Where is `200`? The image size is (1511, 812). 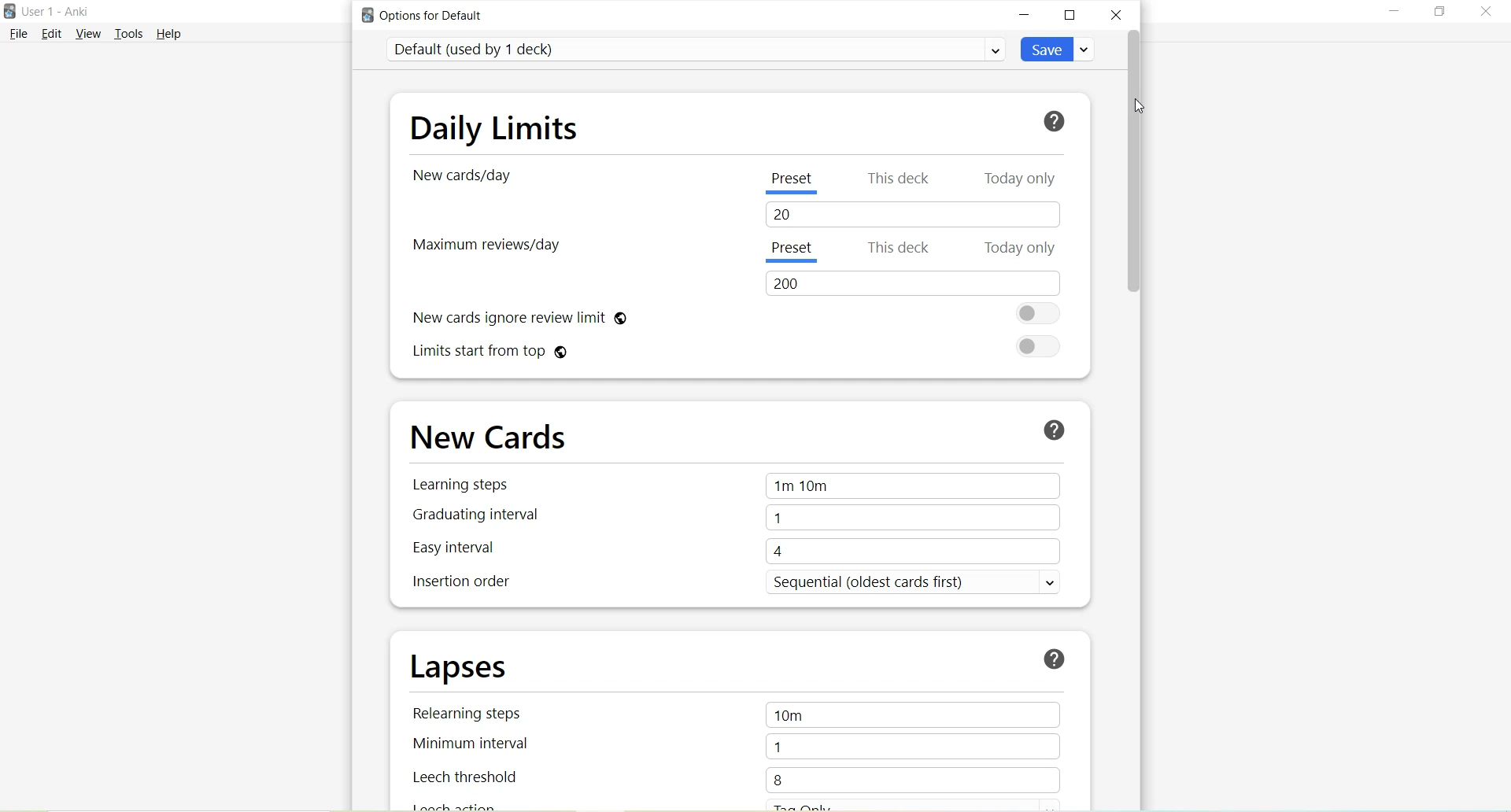
200 is located at coordinates (911, 285).